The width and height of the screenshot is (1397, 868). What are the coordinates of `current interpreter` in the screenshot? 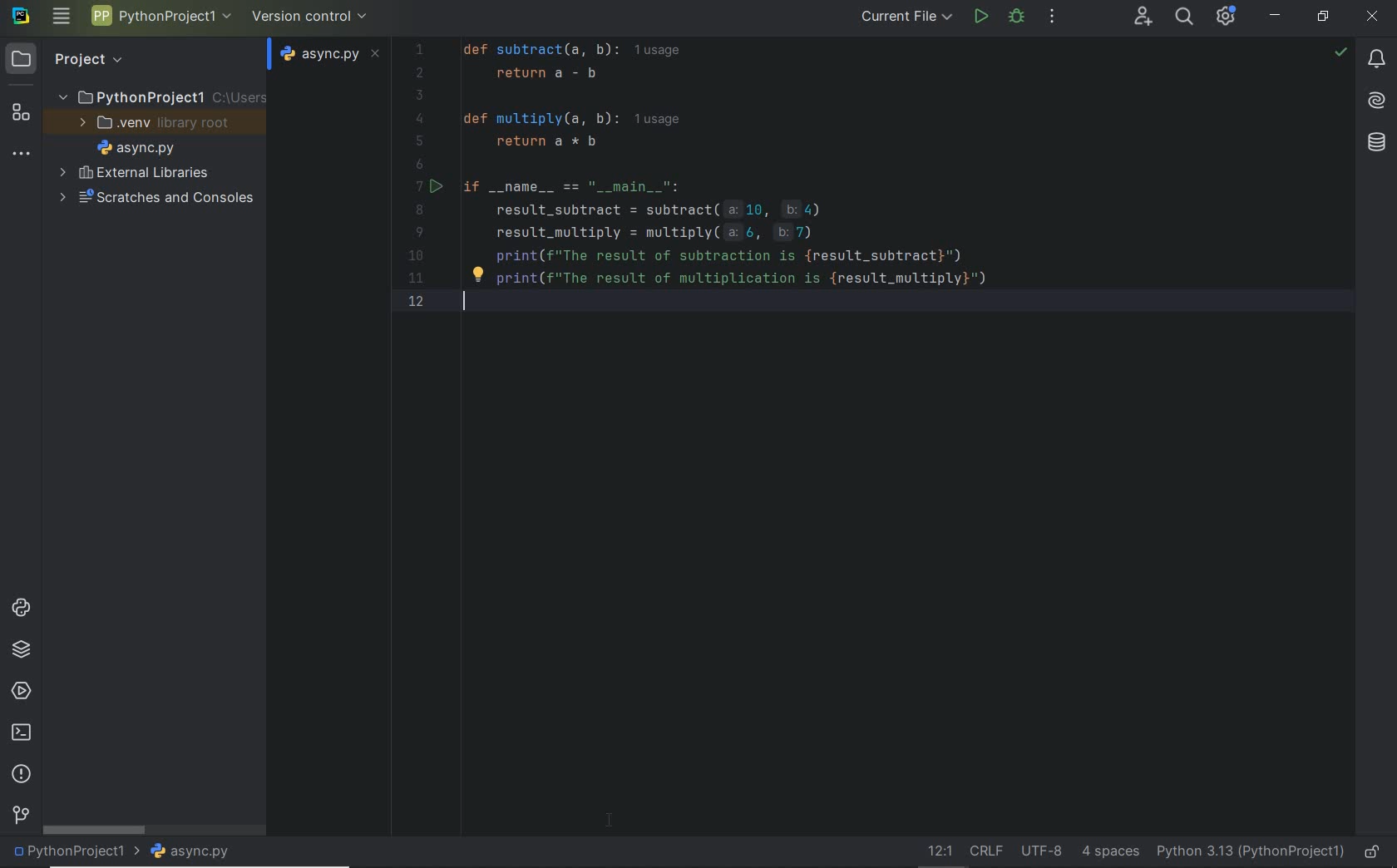 It's located at (1249, 850).